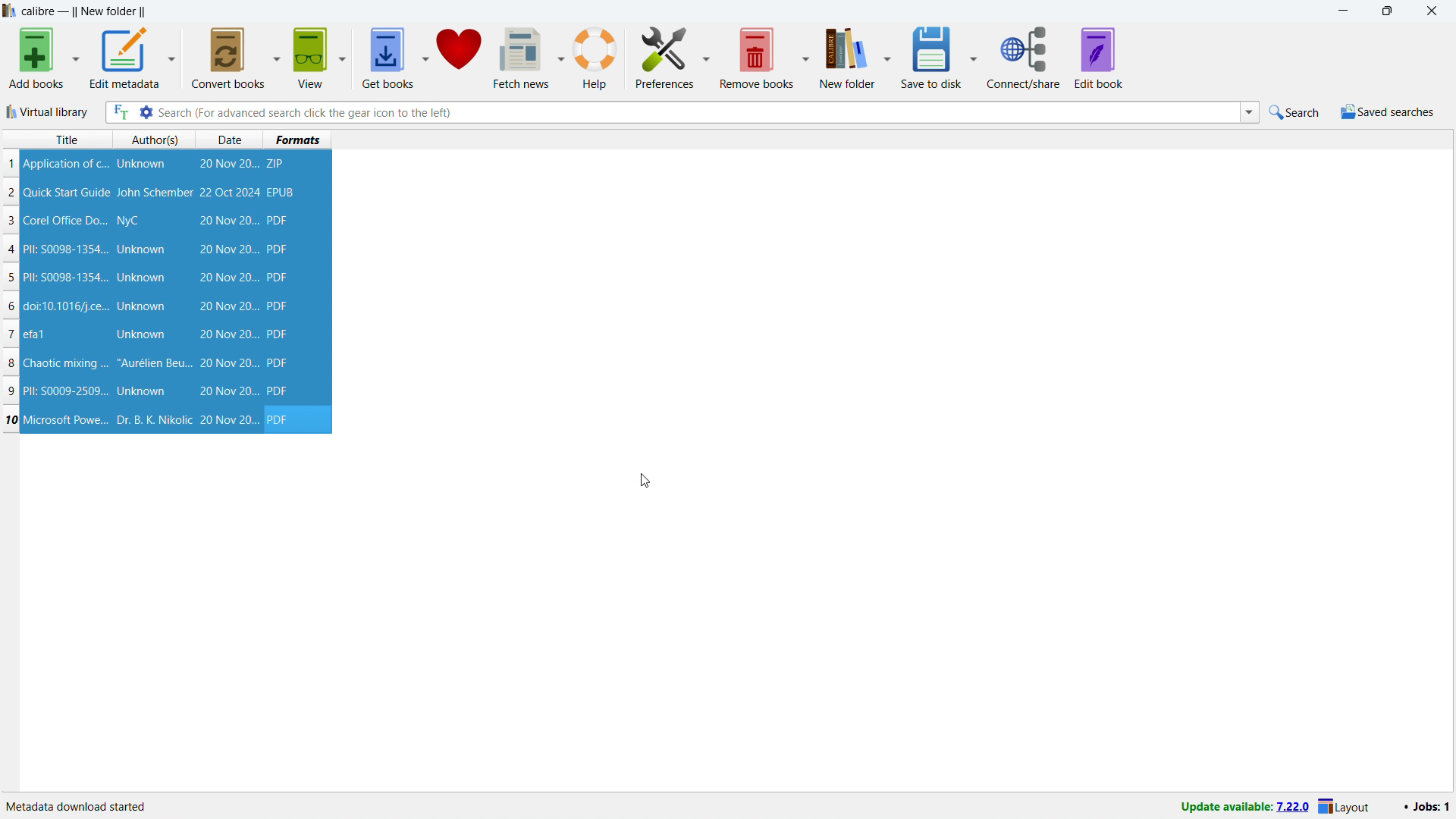  I want to click on Unknown, so click(141, 391).